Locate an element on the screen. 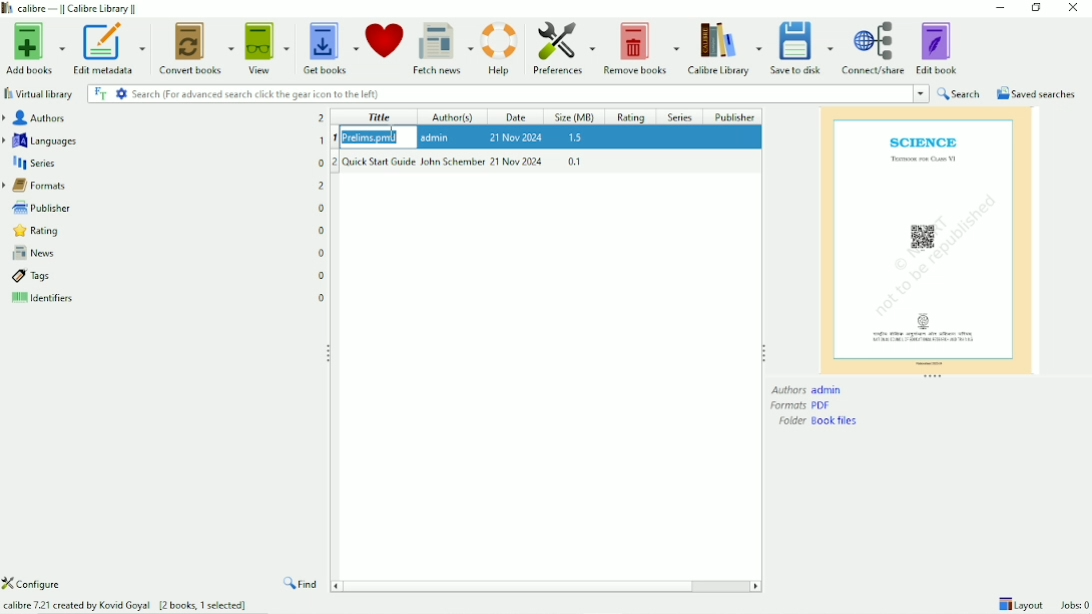 This screenshot has height=614, width=1092. John Schember is located at coordinates (453, 161).